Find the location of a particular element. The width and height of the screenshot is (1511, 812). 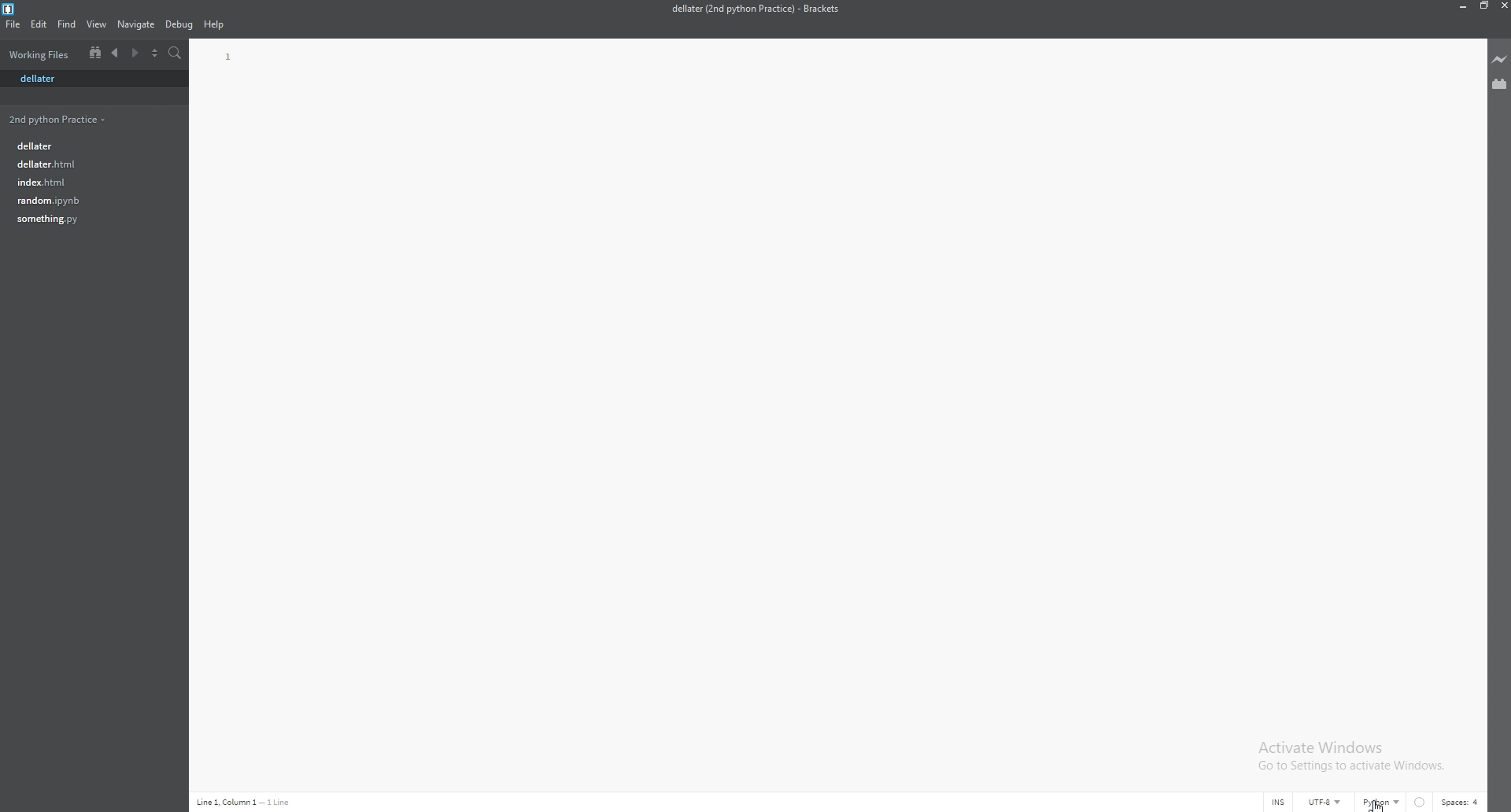

linter is located at coordinates (1421, 803).